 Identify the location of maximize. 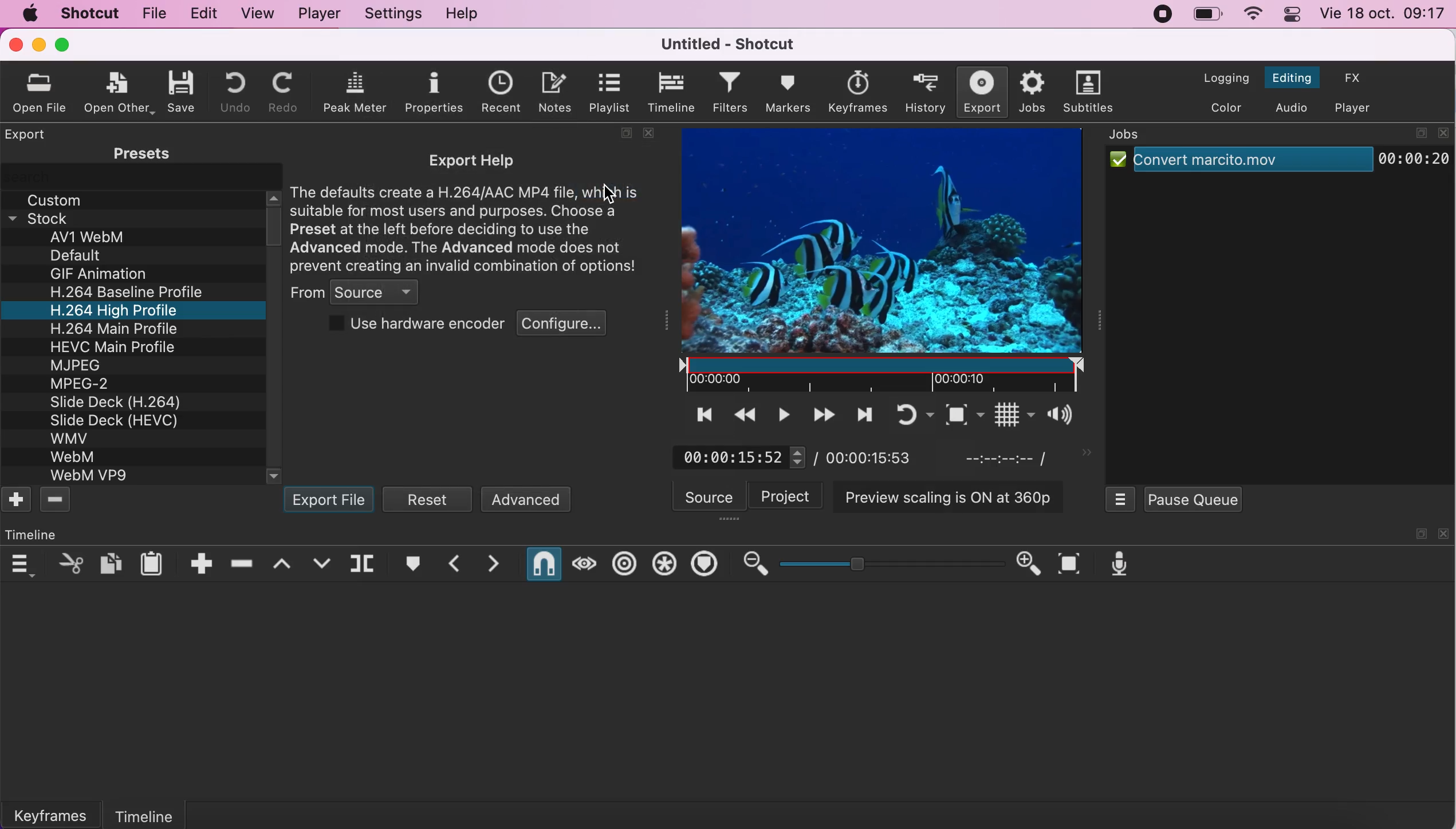
(623, 135).